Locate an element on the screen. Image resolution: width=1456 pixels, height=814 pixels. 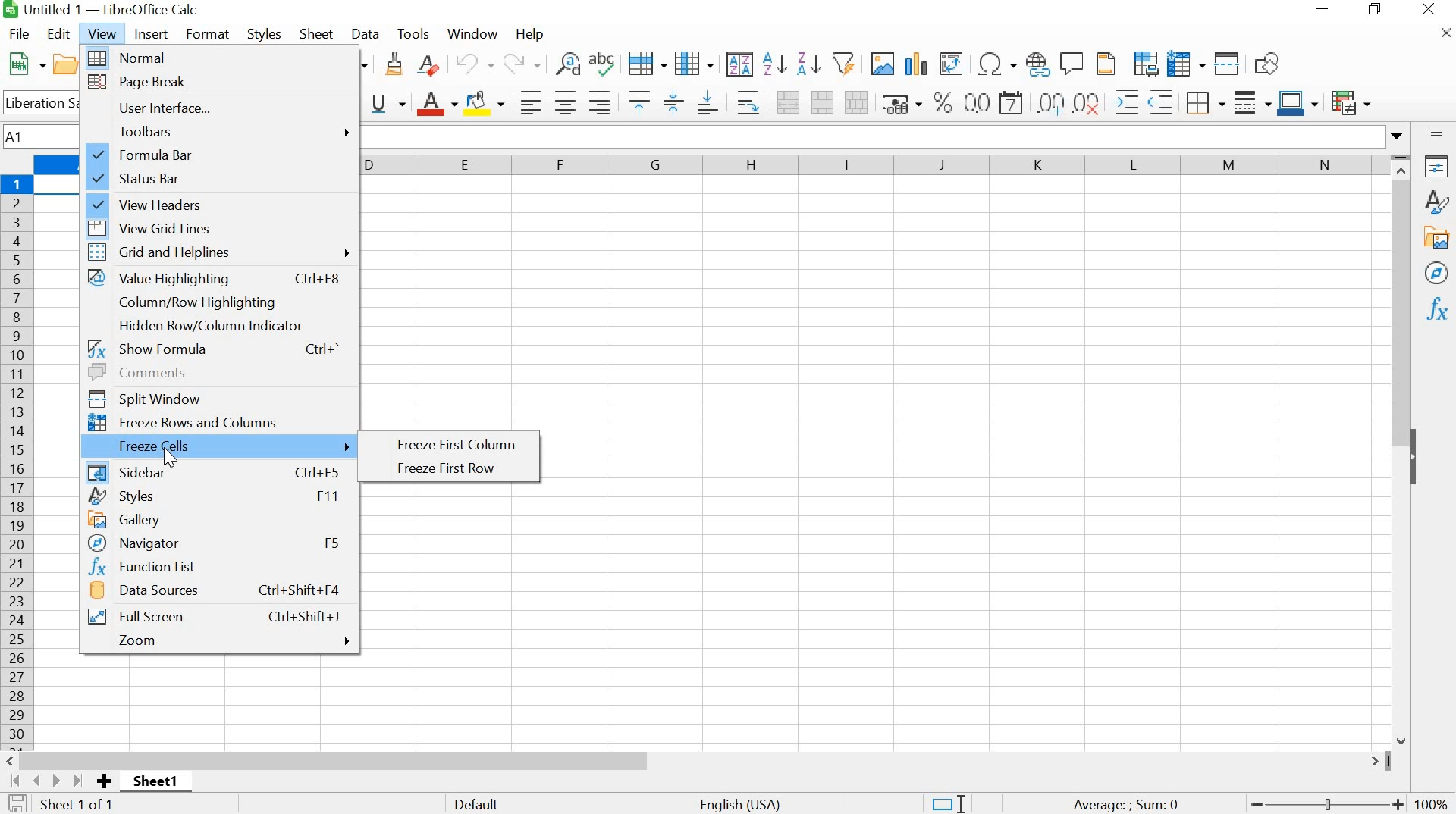
CLEAR DIRECT FORMATTING is located at coordinates (435, 67).